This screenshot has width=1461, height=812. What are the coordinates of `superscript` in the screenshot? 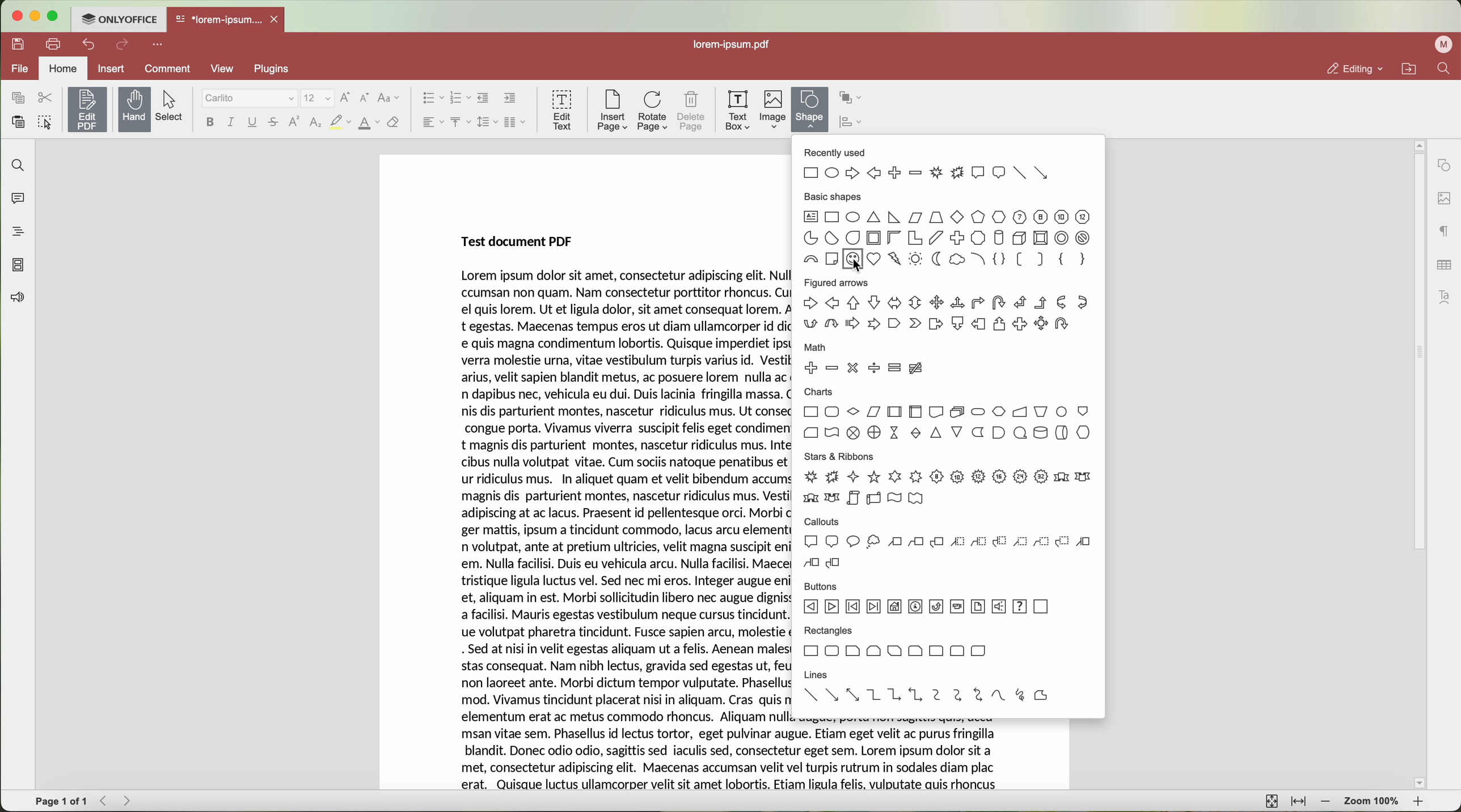 It's located at (293, 122).